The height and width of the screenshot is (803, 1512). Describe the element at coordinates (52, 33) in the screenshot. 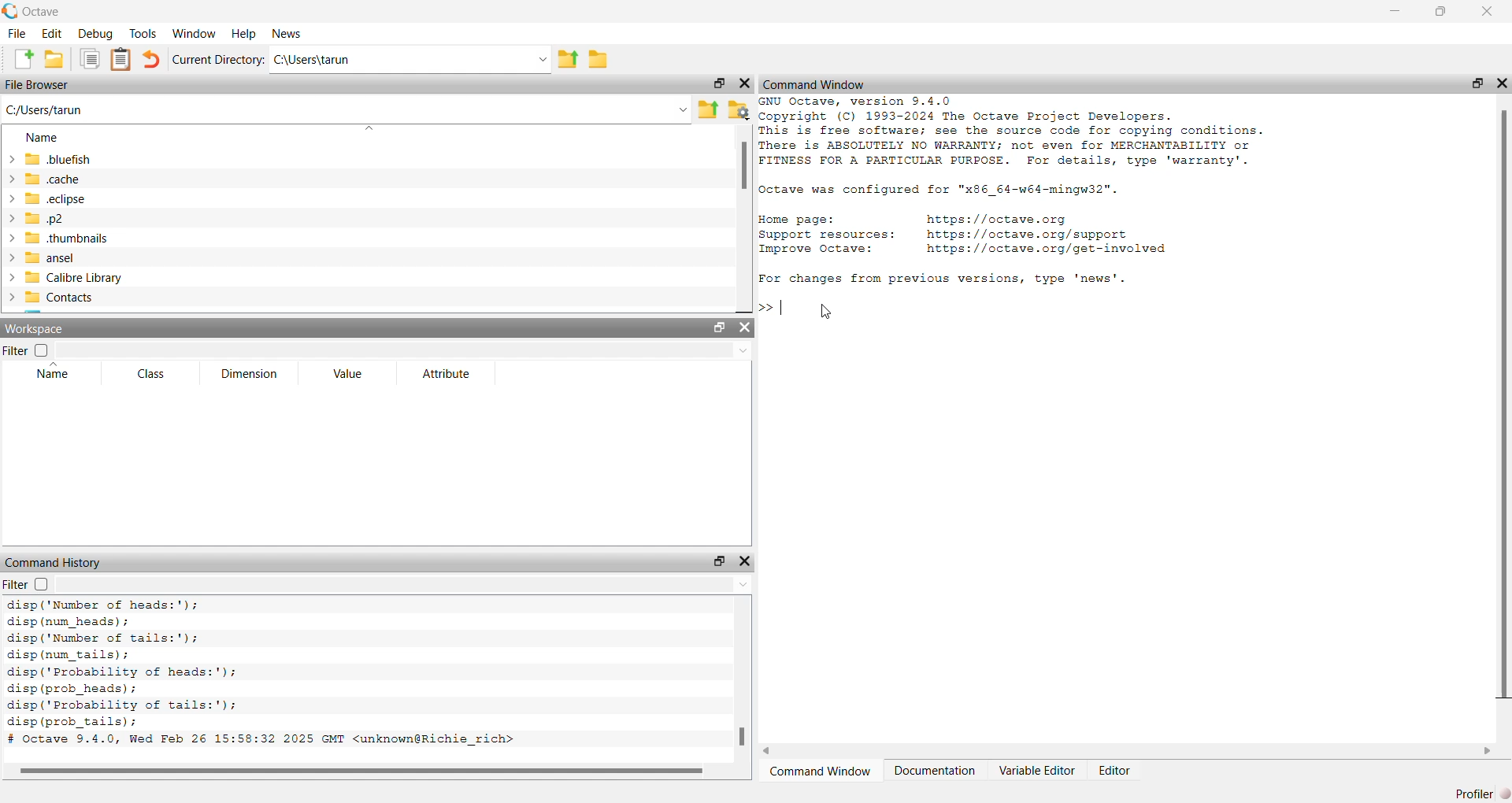

I see `Edit` at that location.